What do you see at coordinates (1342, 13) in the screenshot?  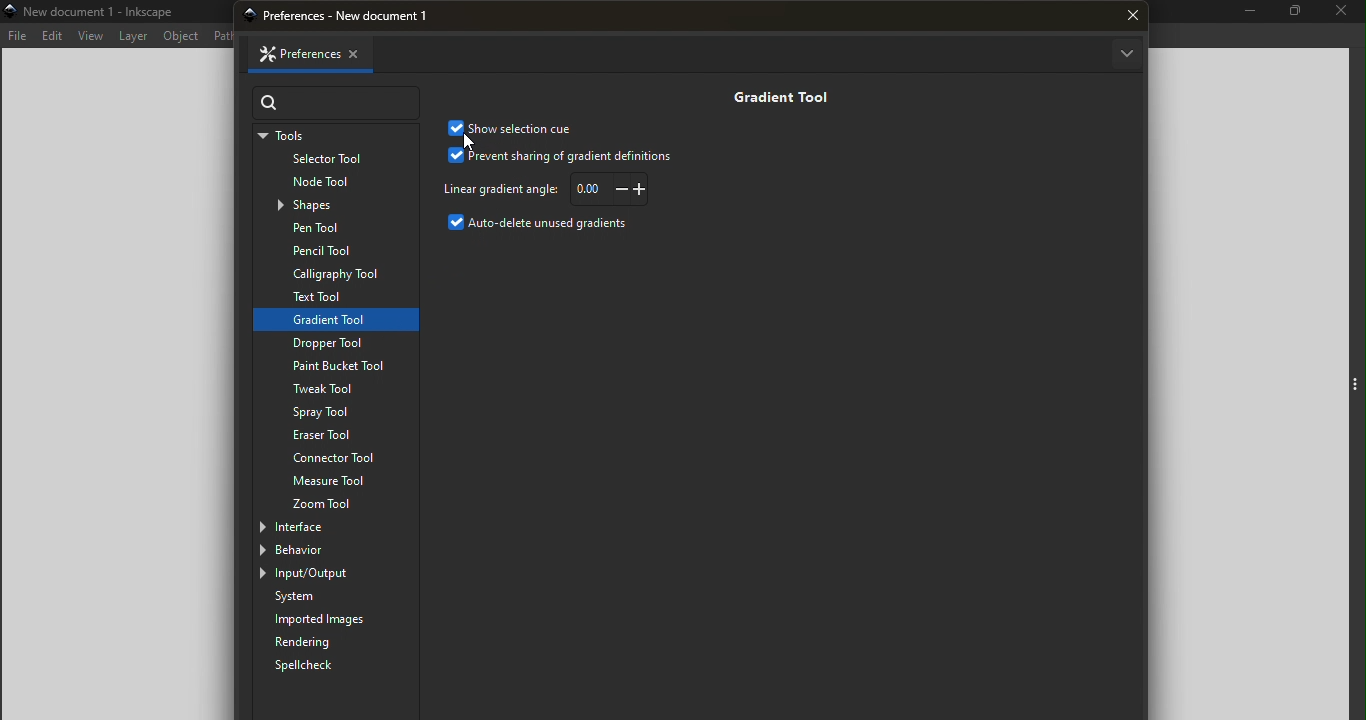 I see `Close` at bounding box center [1342, 13].